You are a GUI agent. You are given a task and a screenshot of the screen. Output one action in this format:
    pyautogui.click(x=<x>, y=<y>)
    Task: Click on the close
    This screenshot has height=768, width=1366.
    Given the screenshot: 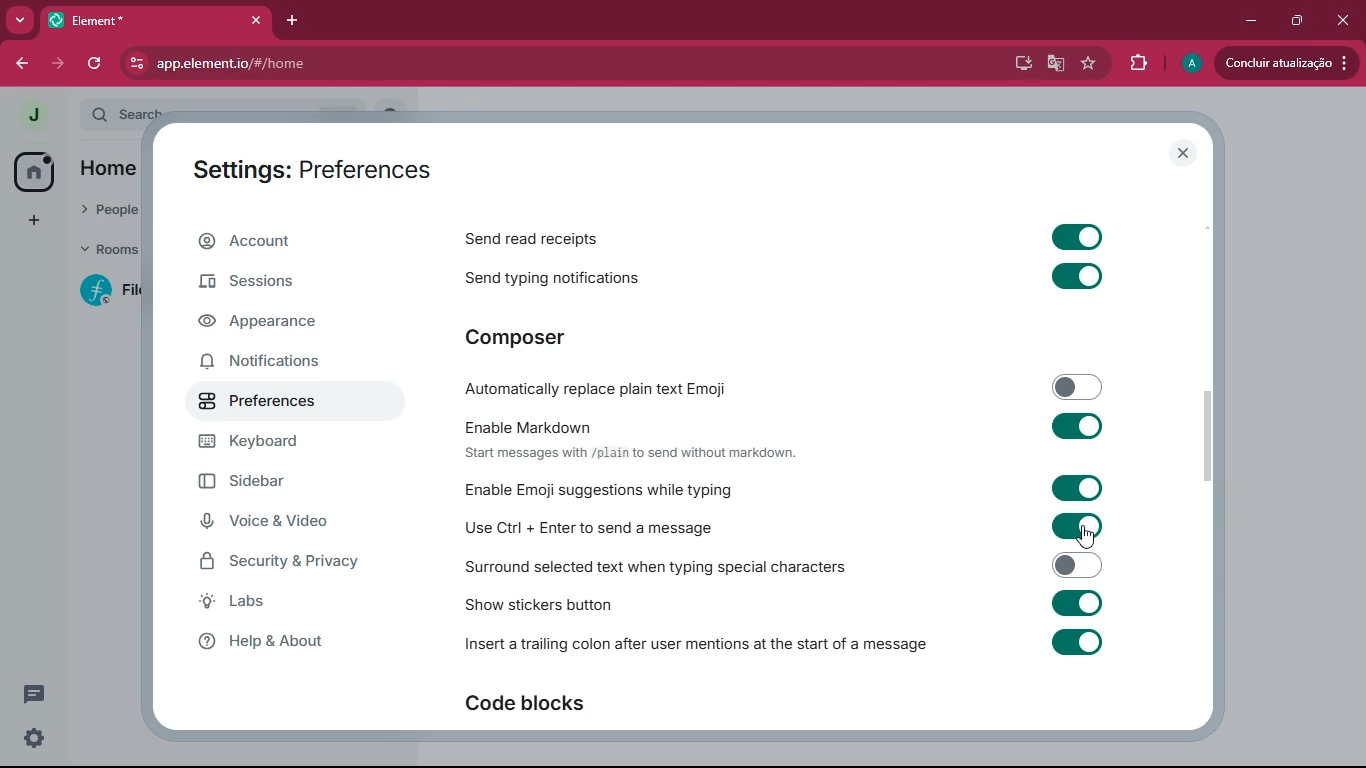 What is the action you would take?
    pyautogui.click(x=1339, y=17)
    